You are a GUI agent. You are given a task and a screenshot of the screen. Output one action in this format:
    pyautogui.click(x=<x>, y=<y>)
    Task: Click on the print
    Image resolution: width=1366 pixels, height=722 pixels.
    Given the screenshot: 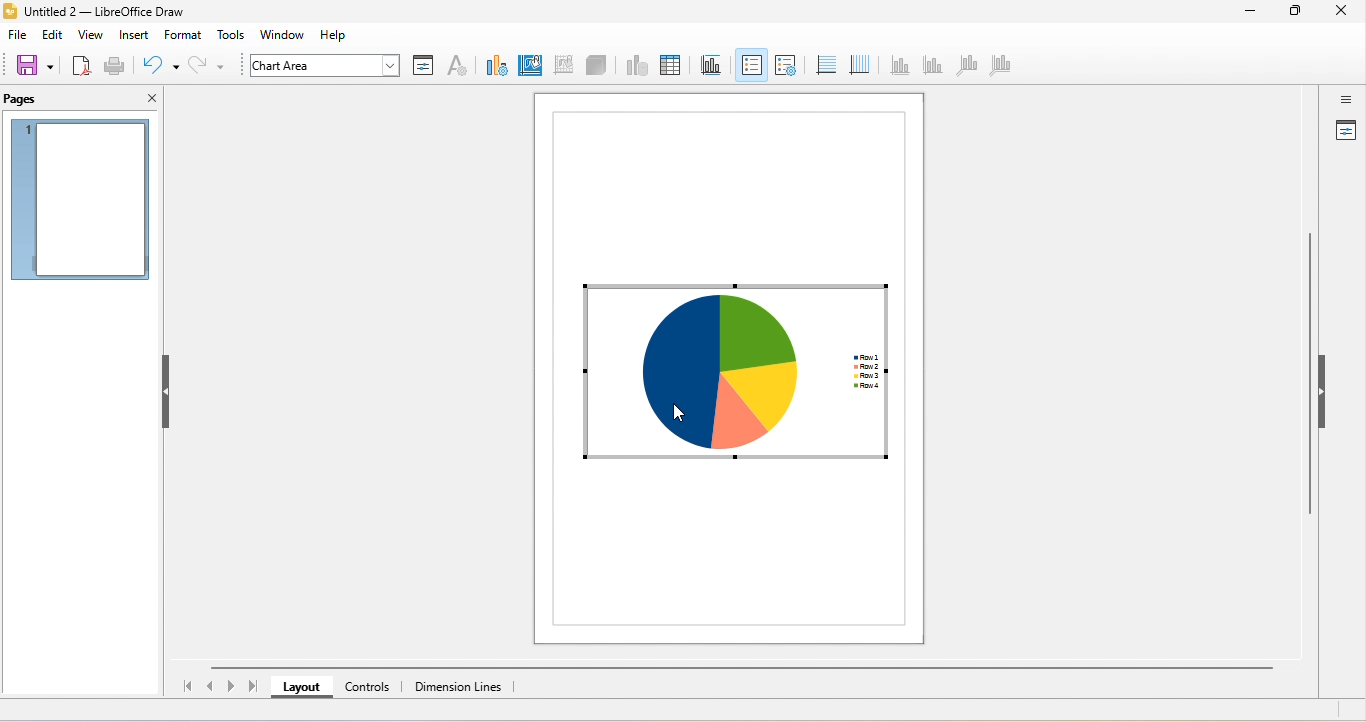 What is the action you would take?
    pyautogui.click(x=115, y=68)
    